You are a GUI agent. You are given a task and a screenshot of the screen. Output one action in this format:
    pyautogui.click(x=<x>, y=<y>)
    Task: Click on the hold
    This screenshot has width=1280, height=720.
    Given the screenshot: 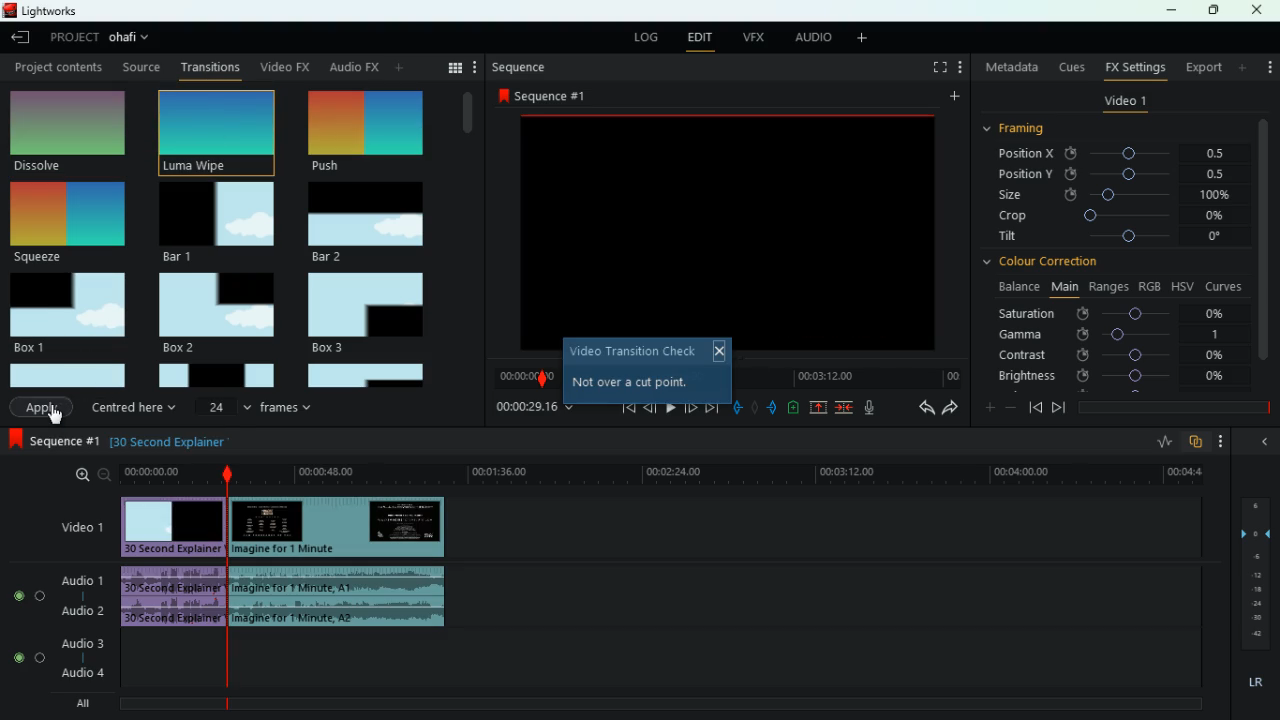 What is the action you would take?
    pyautogui.click(x=757, y=410)
    